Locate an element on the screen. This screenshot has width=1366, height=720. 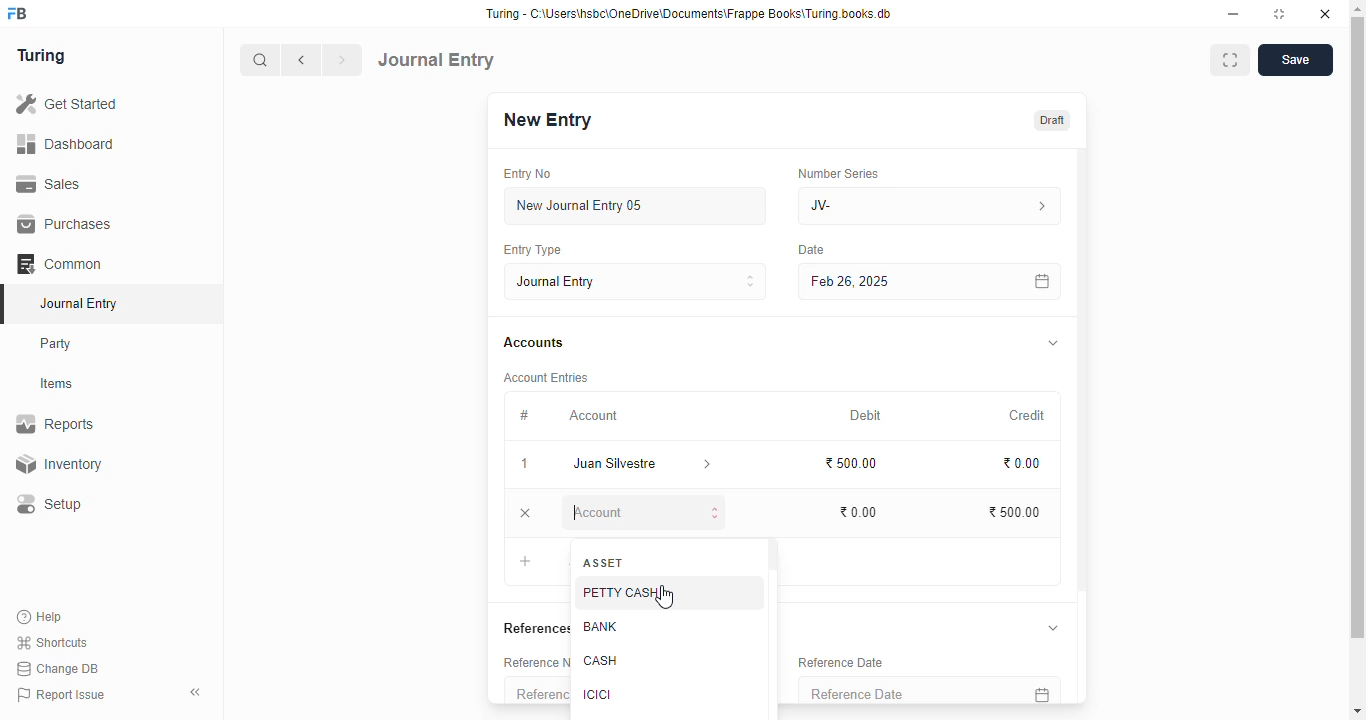
FB - logo is located at coordinates (17, 13).